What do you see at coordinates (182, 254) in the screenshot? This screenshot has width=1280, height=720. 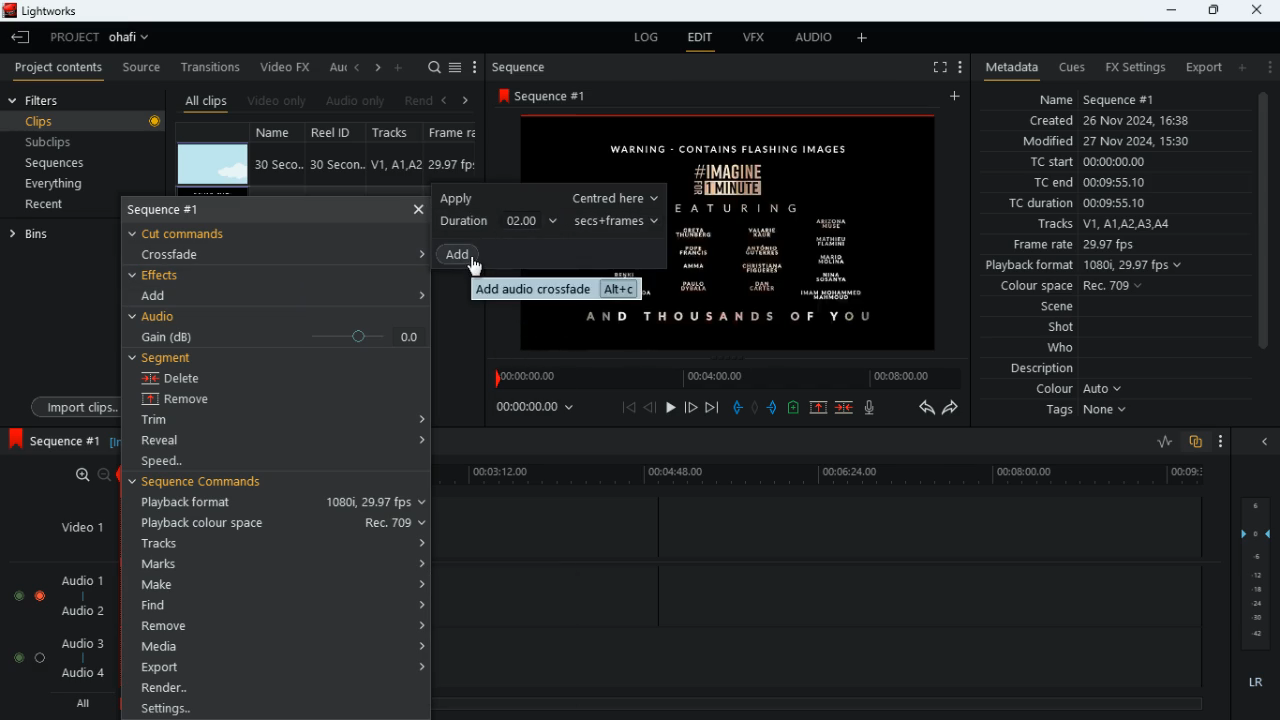 I see `crossfade` at bounding box center [182, 254].